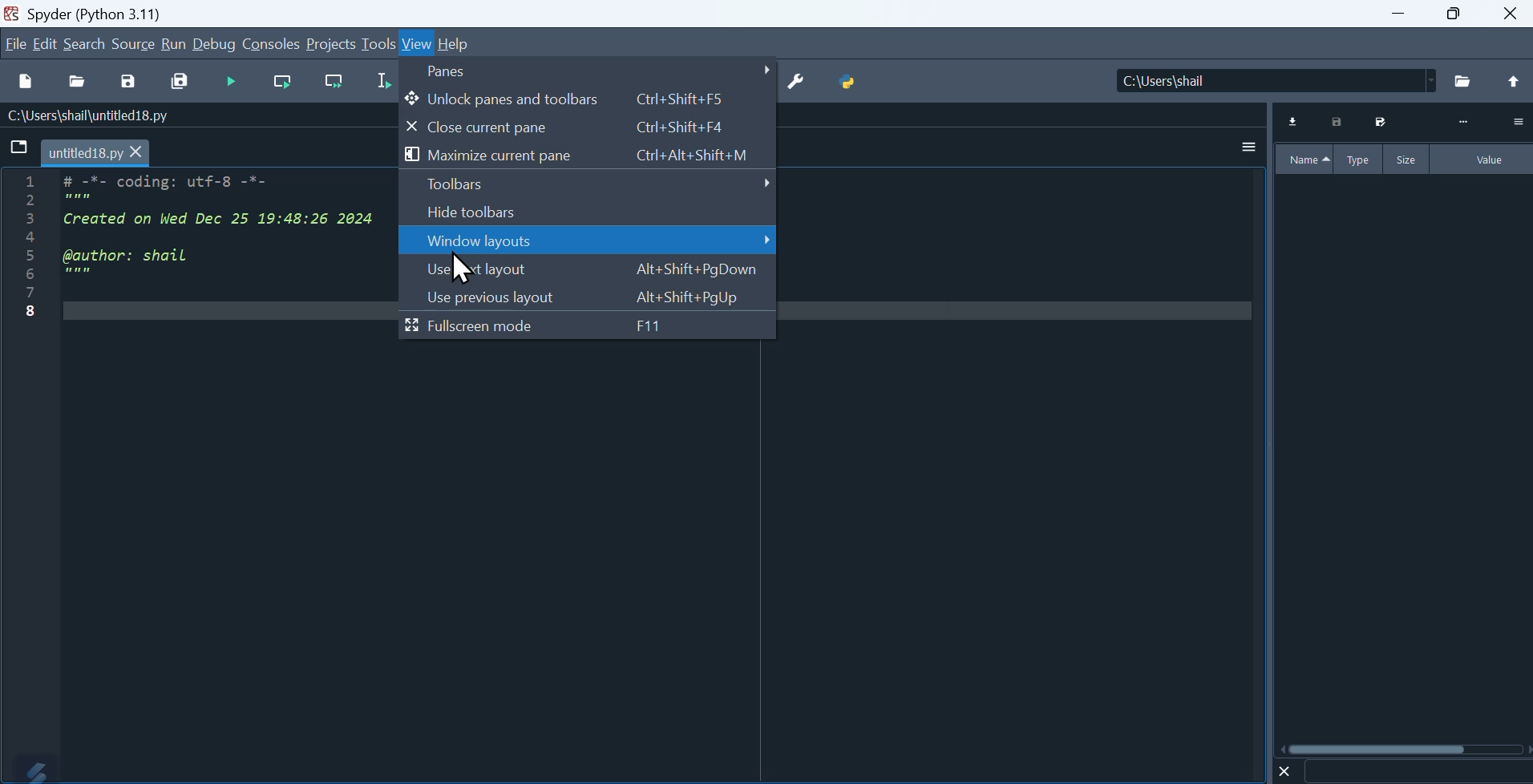 Image resolution: width=1533 pixels, height=784 pixels. What do you see at coordinates (180, 83) in the screenshot?
I see `Save all` at bounding box center [180, 83].